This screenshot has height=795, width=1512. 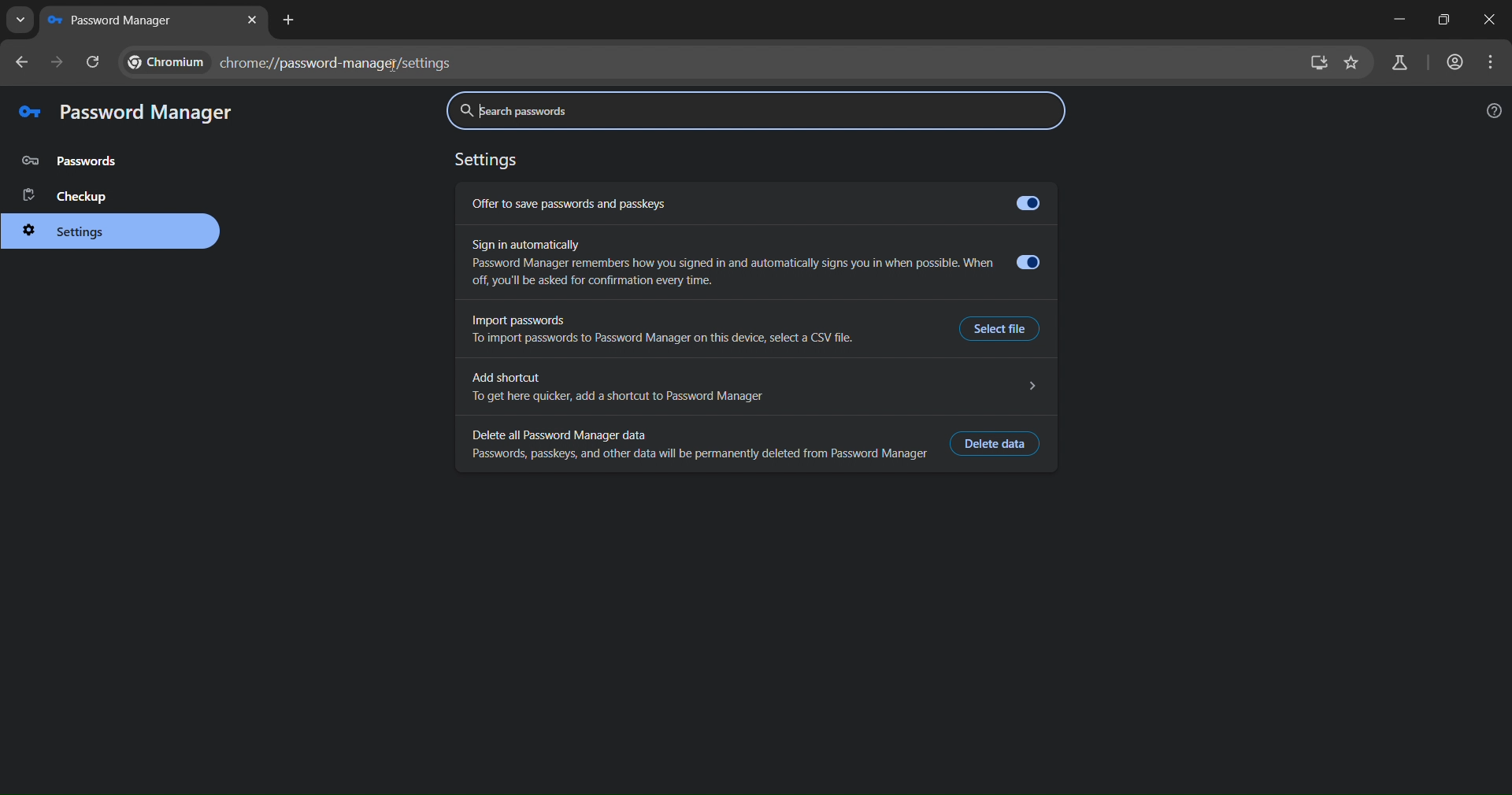 What do you see at coordinates (755, 385) in the screenshot?
I see `Add shortcut
To get here quicker, add a shortcut to Password Manager` at bounding box center [755, 385].